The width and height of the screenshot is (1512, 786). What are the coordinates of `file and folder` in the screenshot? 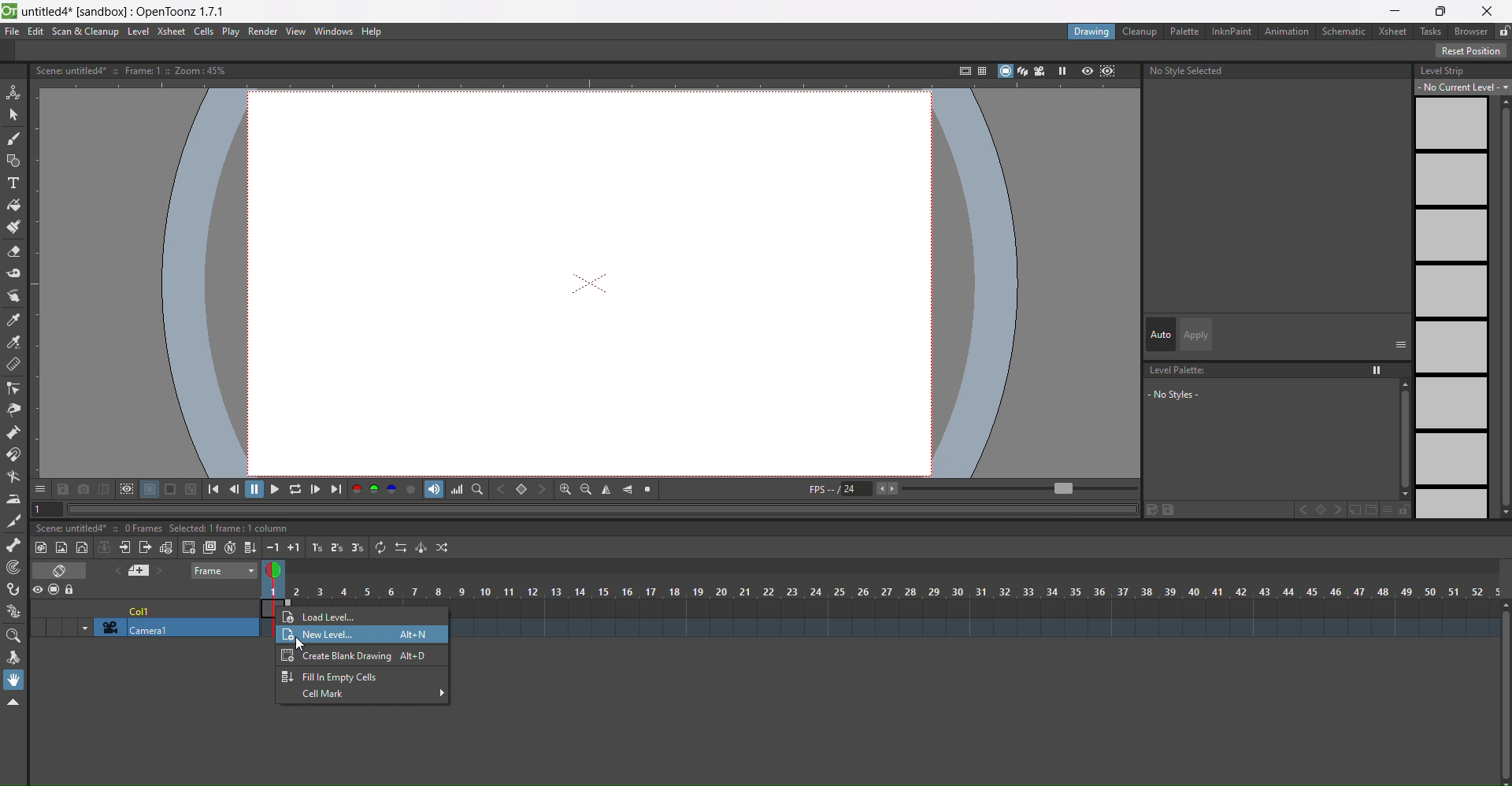 It's located at (1363, 510).